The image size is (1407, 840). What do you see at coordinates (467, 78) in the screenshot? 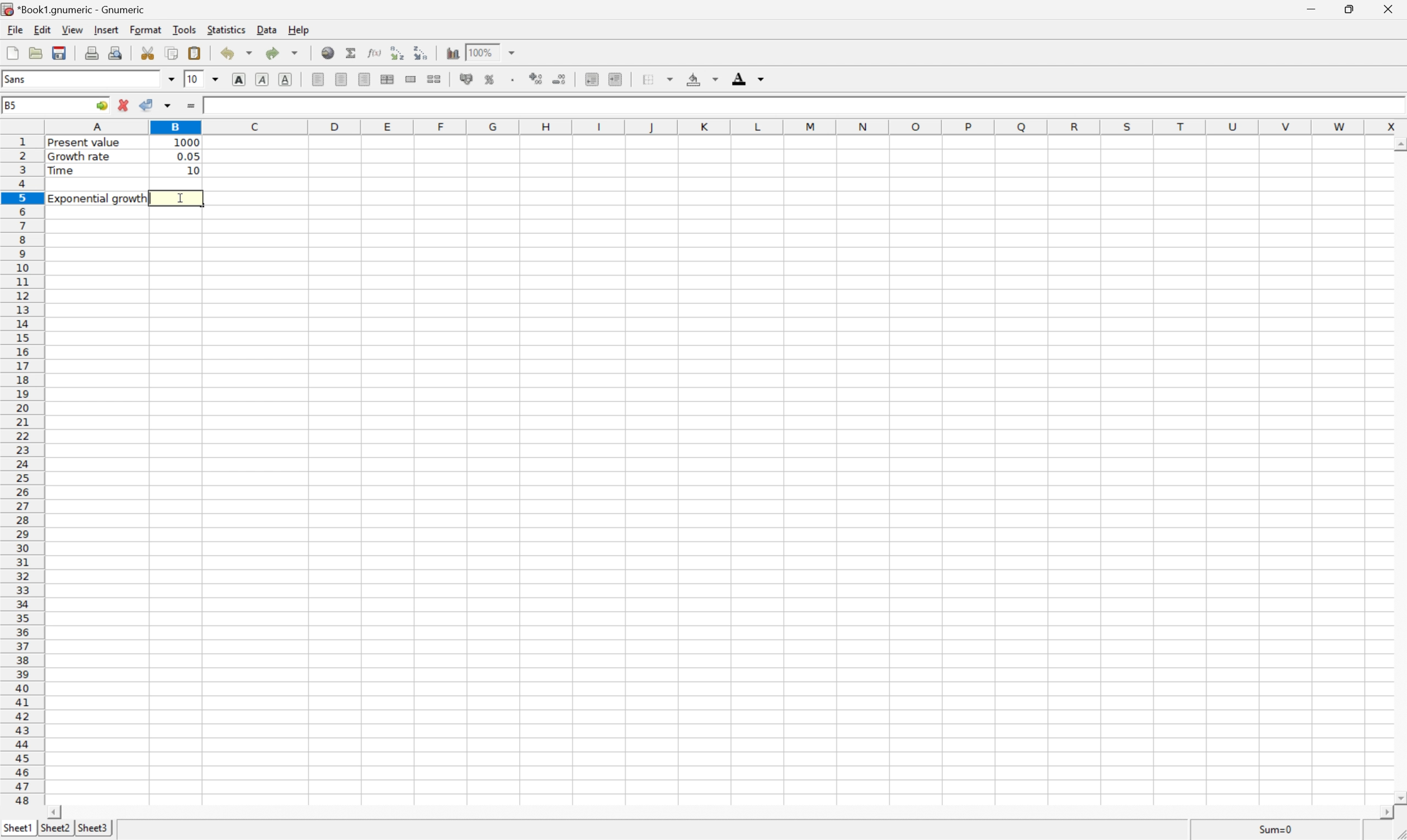
I see `Format the selection as accounting` at bounding box center [467, 78].